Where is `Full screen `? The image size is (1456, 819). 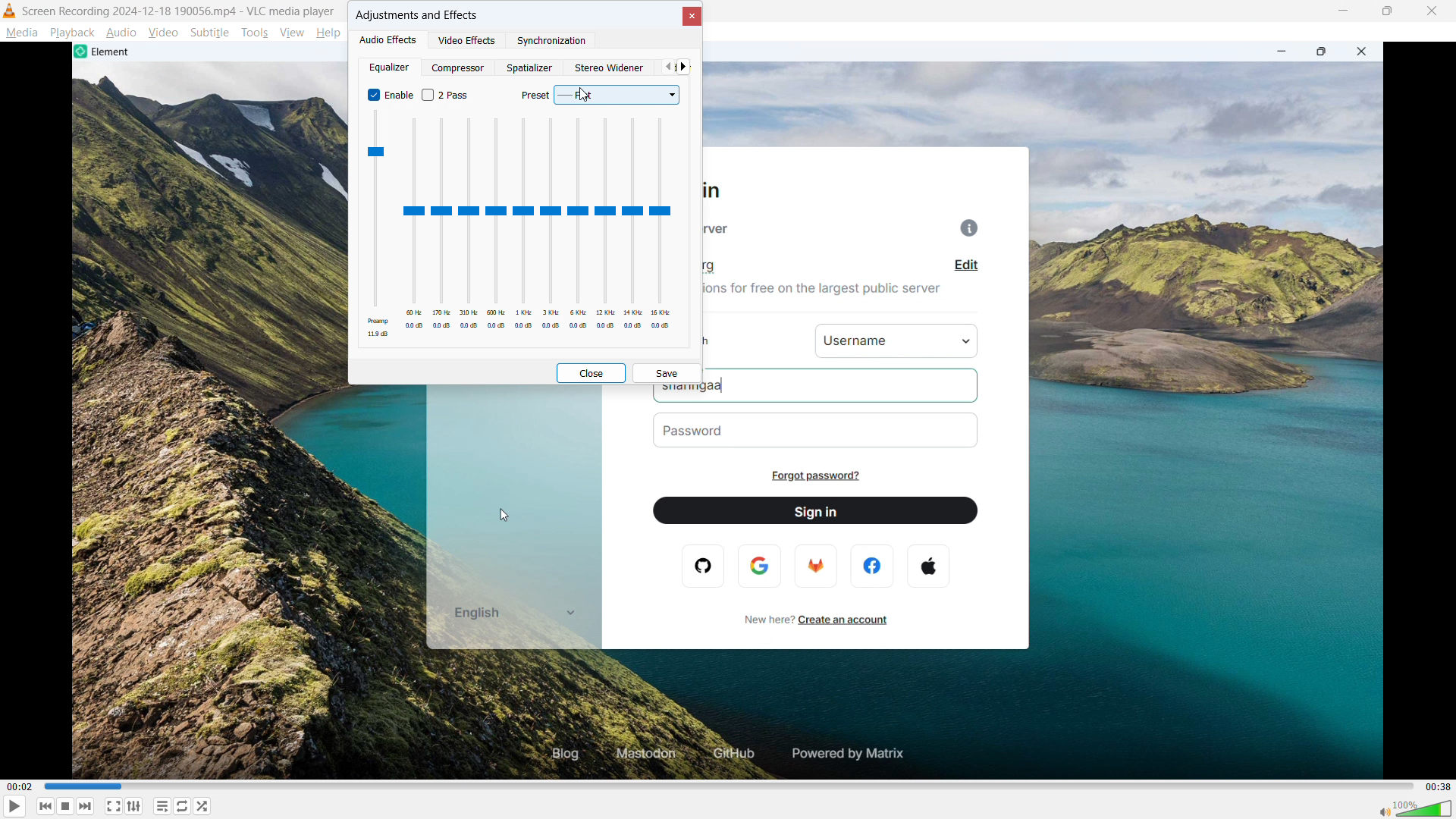
Full screen  is located at coordinates (113, 806).